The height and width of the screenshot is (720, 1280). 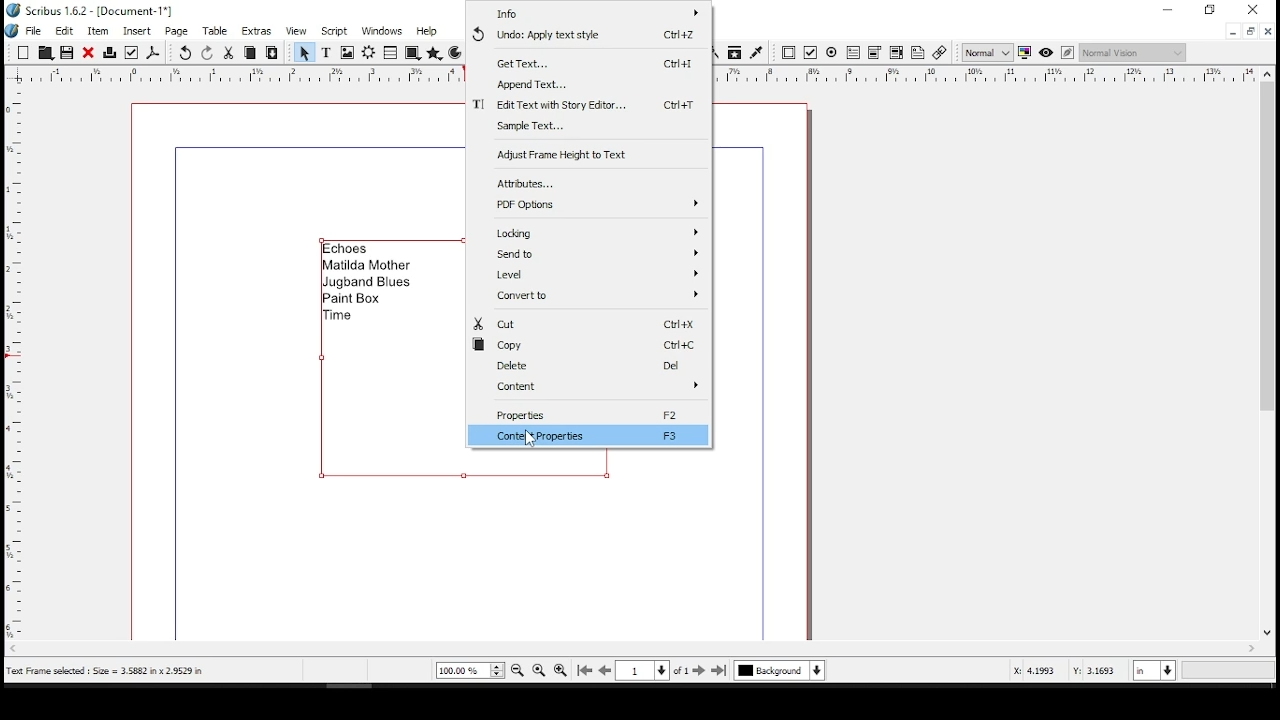 What do you see at coordinates (987, 52) in the screenshot?
I see `select image preview quality` at bounding box center [987, 52].